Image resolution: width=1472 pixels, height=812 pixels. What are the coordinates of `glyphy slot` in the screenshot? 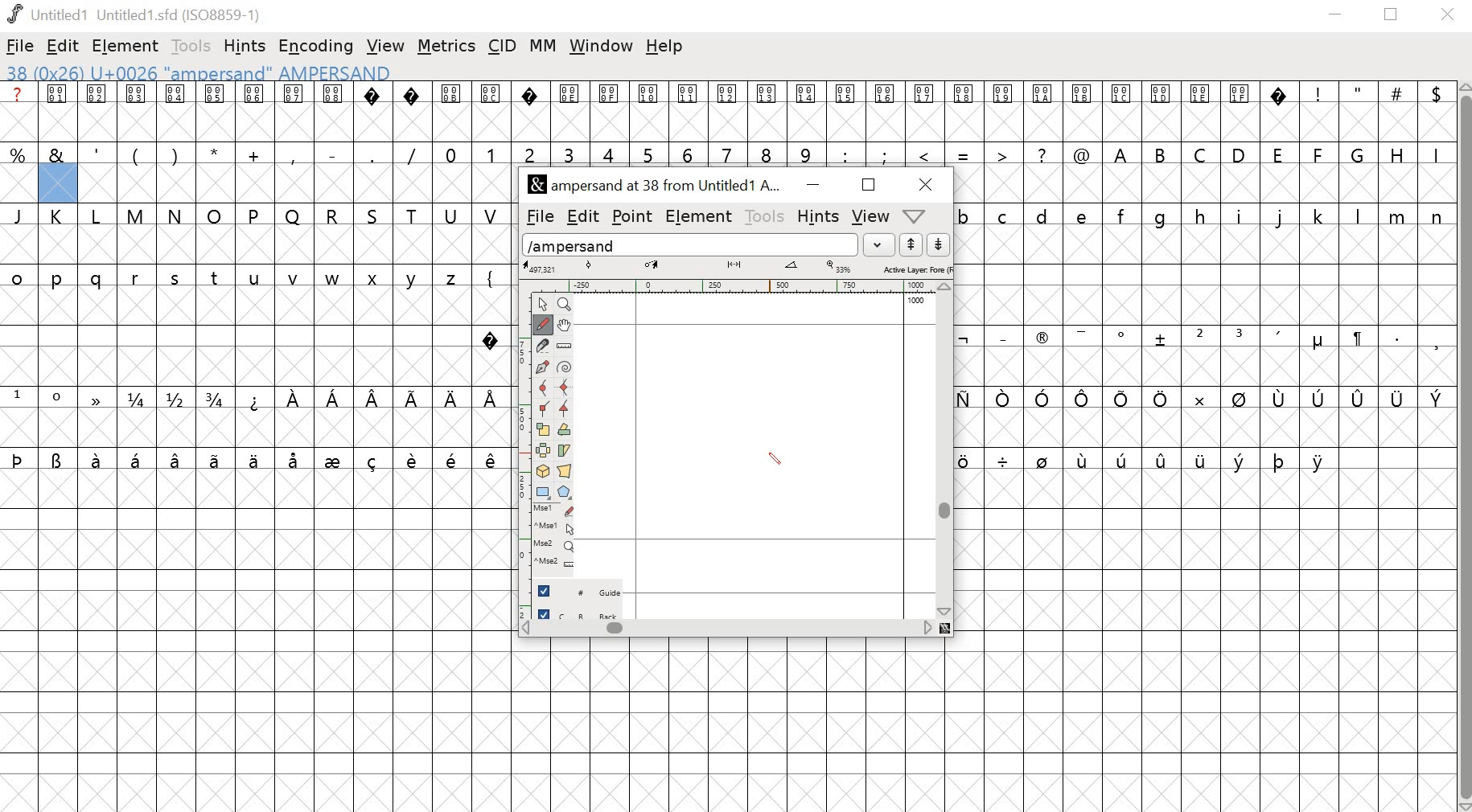 It's located at (58, 184).